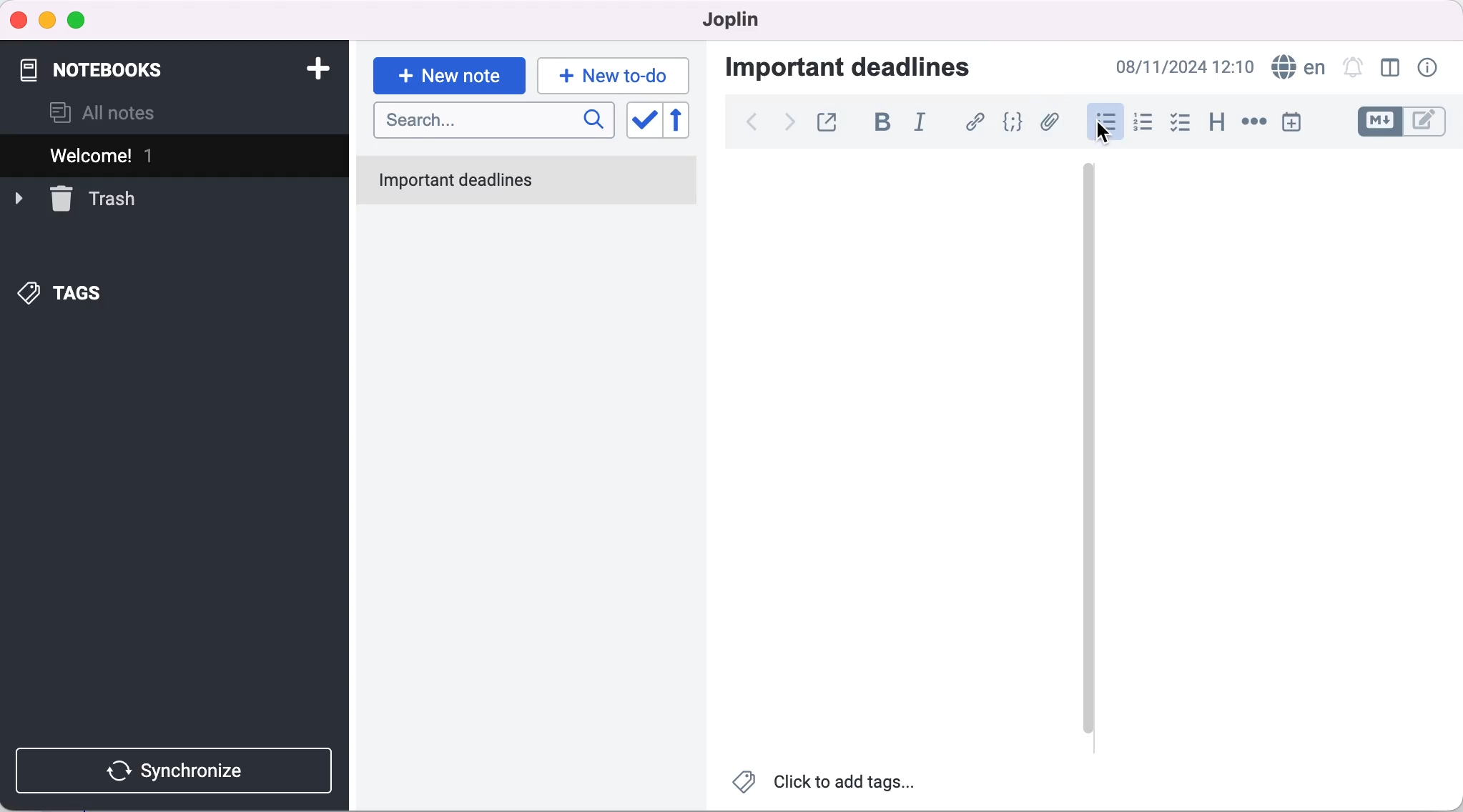  Describe the element at coordinates (1296, 69) in the screenshot. I see `language` at that location.